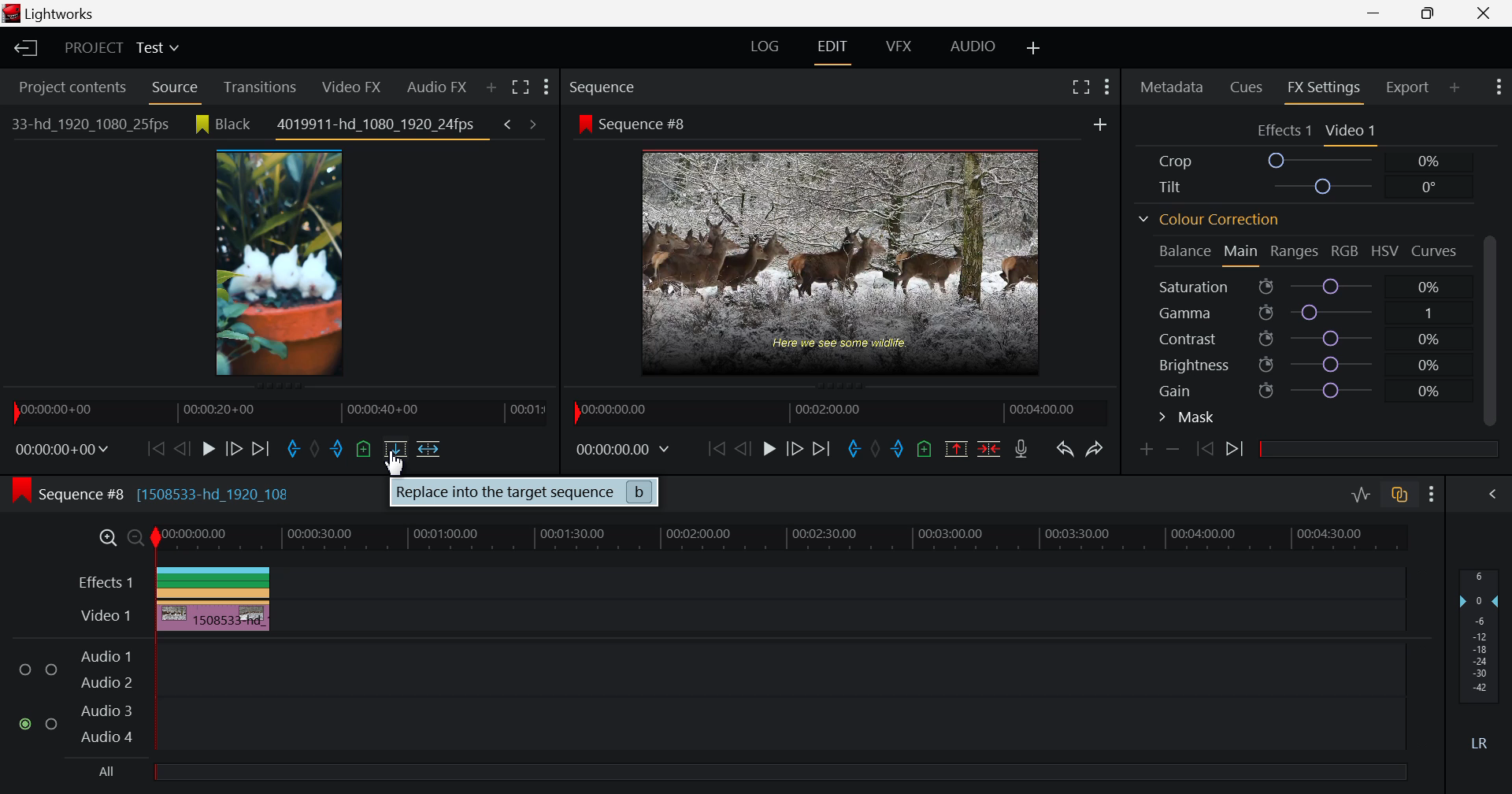 This screenshot has height=794, width=1512. I want to click on Mark In, so click(850, 445).